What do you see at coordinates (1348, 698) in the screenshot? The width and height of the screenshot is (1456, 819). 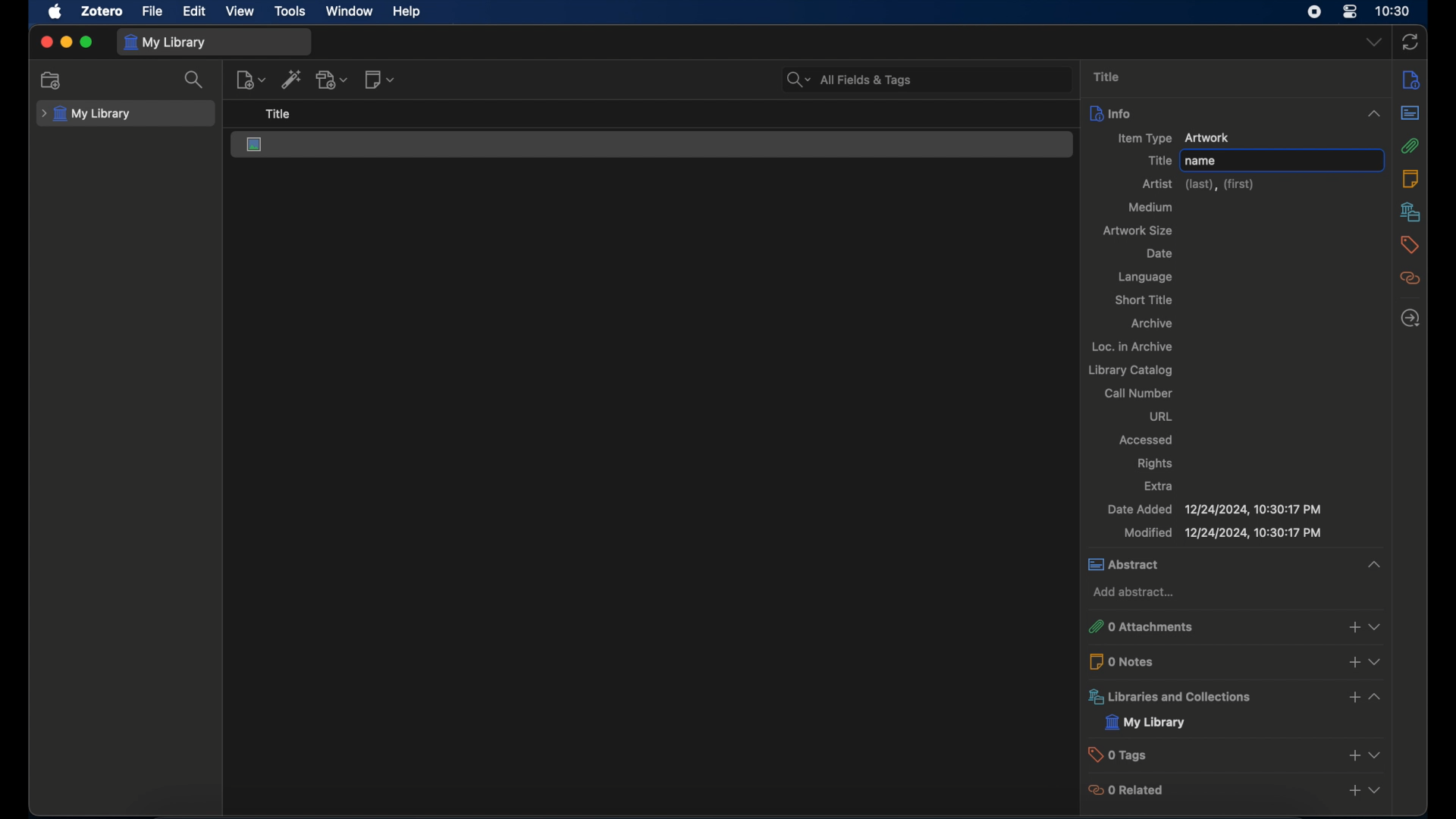 I see `add` at bounding box center [1348, 698].